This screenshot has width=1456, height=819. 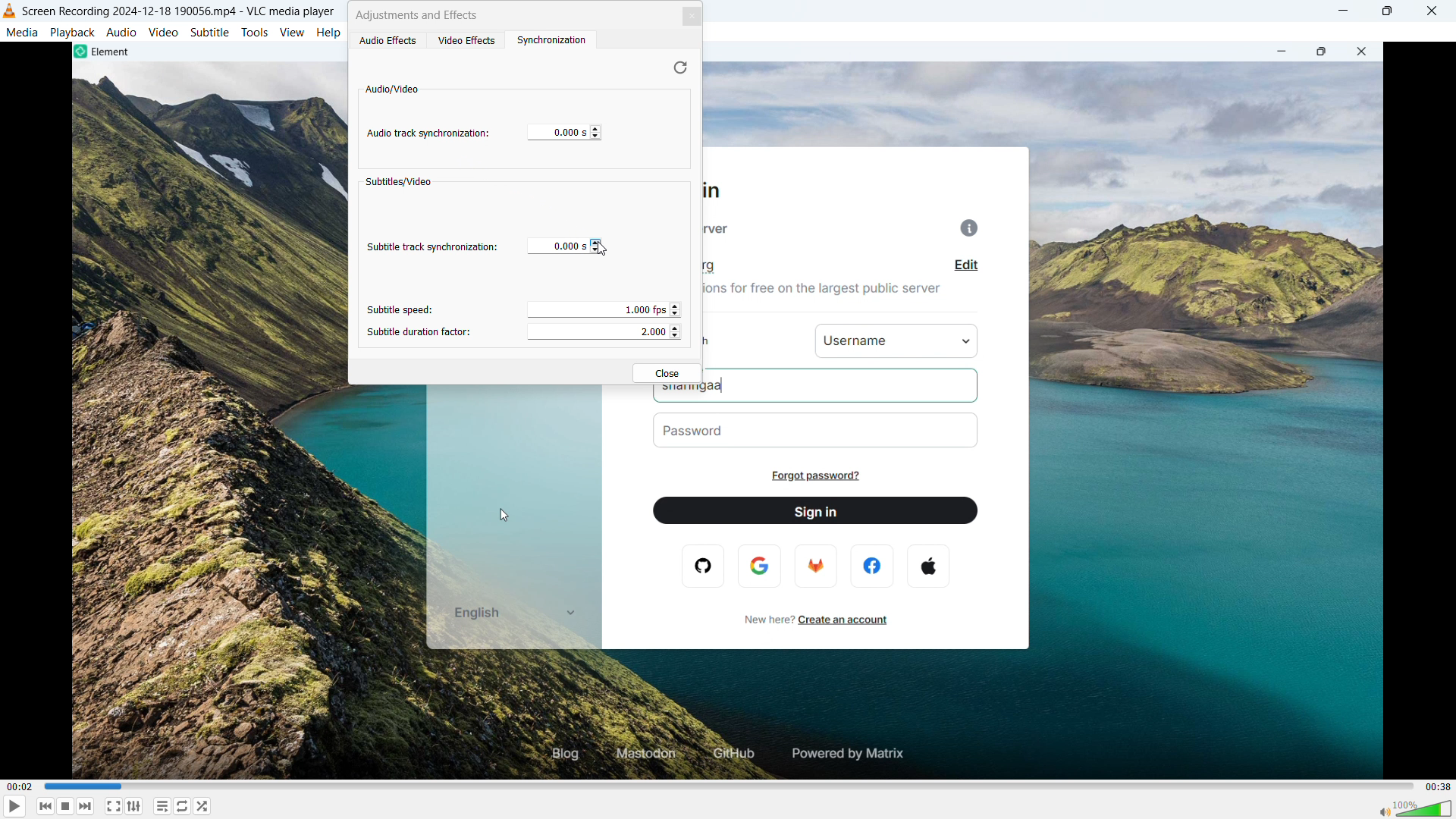 What do you see at coordinates (1410, 808) in the screenshot?
I see `sound bar` at bounding box center [1410, 808].